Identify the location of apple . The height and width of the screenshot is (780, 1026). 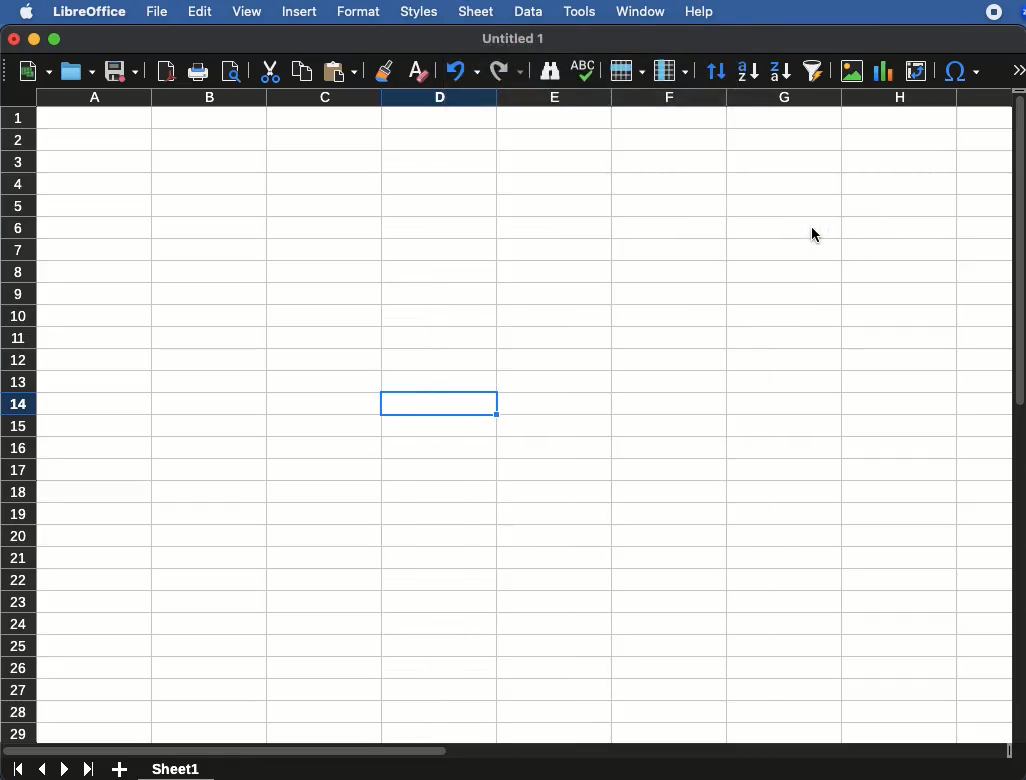
(21, 11).